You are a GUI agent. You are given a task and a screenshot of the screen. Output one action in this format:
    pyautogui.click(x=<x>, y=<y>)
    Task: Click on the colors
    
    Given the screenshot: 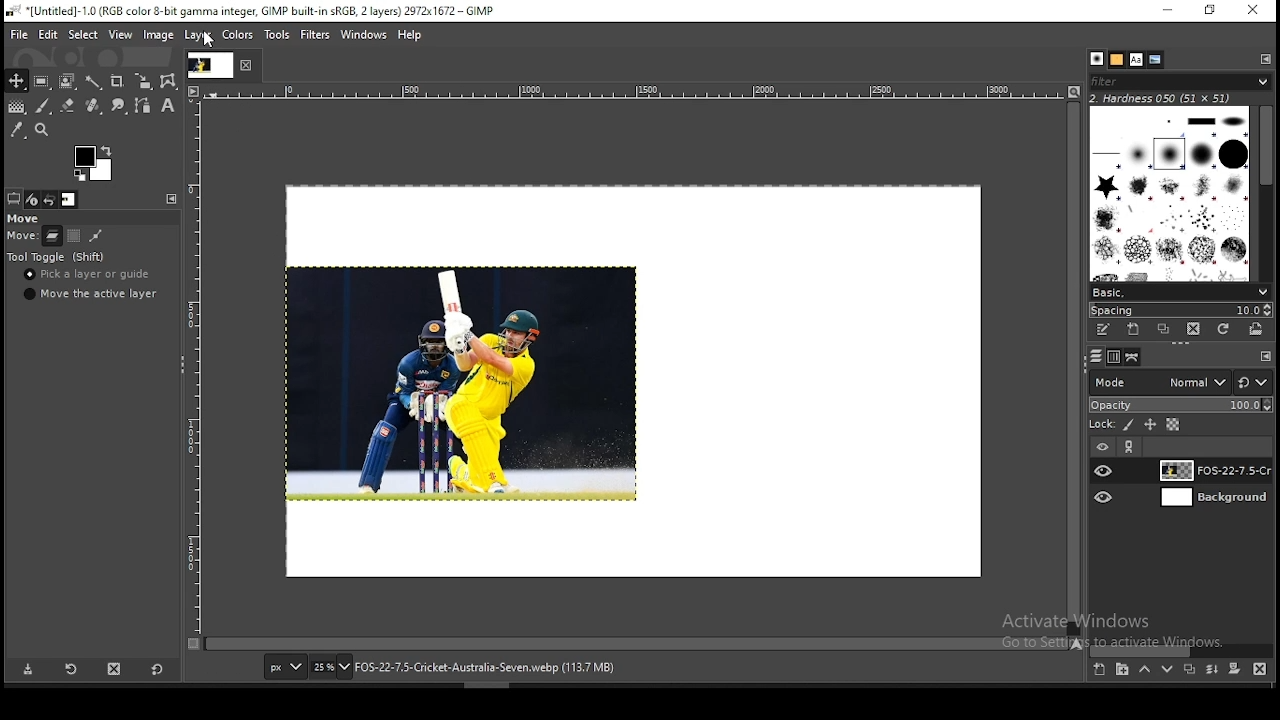 What is the action you would take?
    pyautogui.click(x=240, y=36)
    